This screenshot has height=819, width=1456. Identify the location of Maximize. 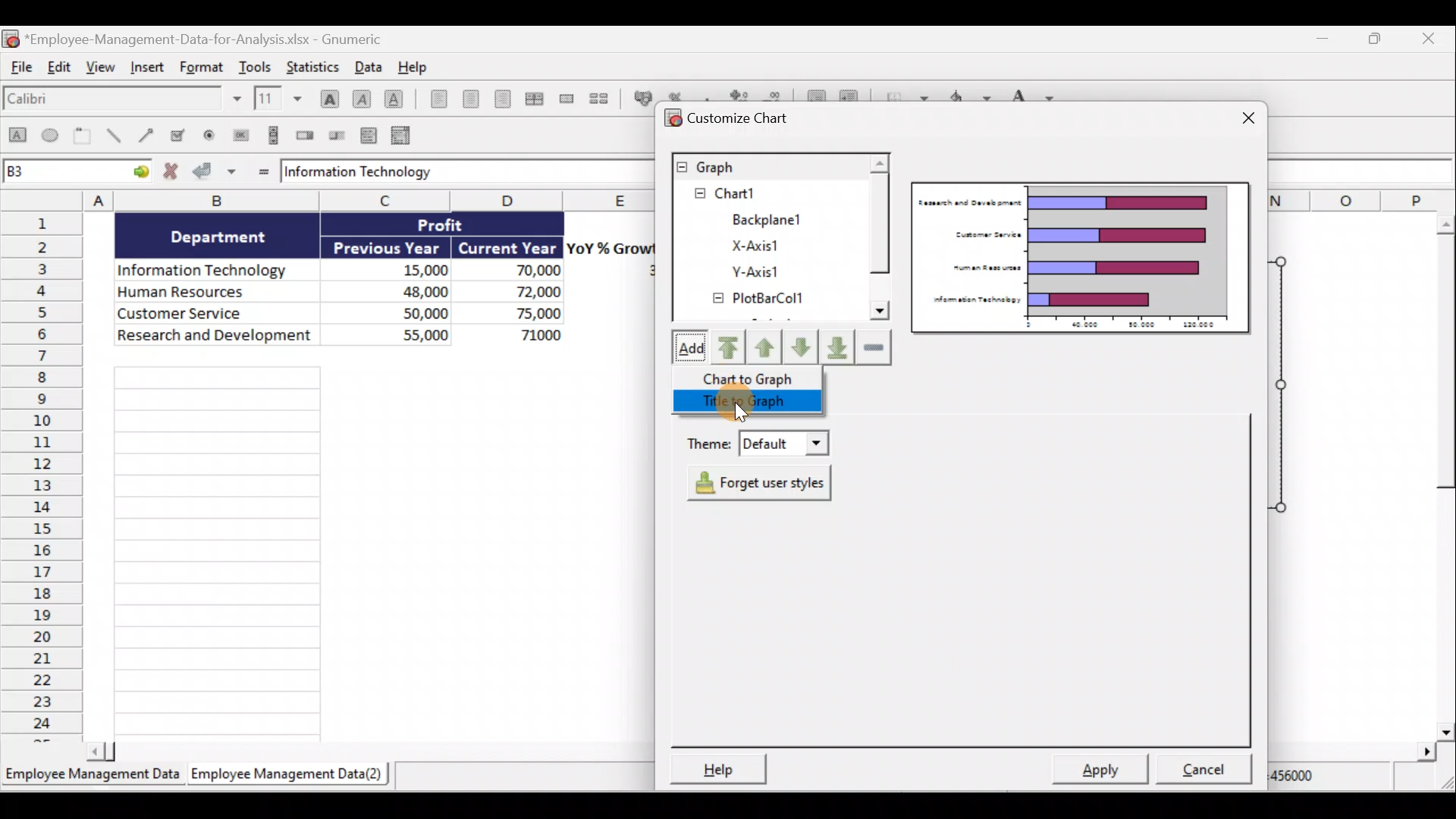
(1379, 39).